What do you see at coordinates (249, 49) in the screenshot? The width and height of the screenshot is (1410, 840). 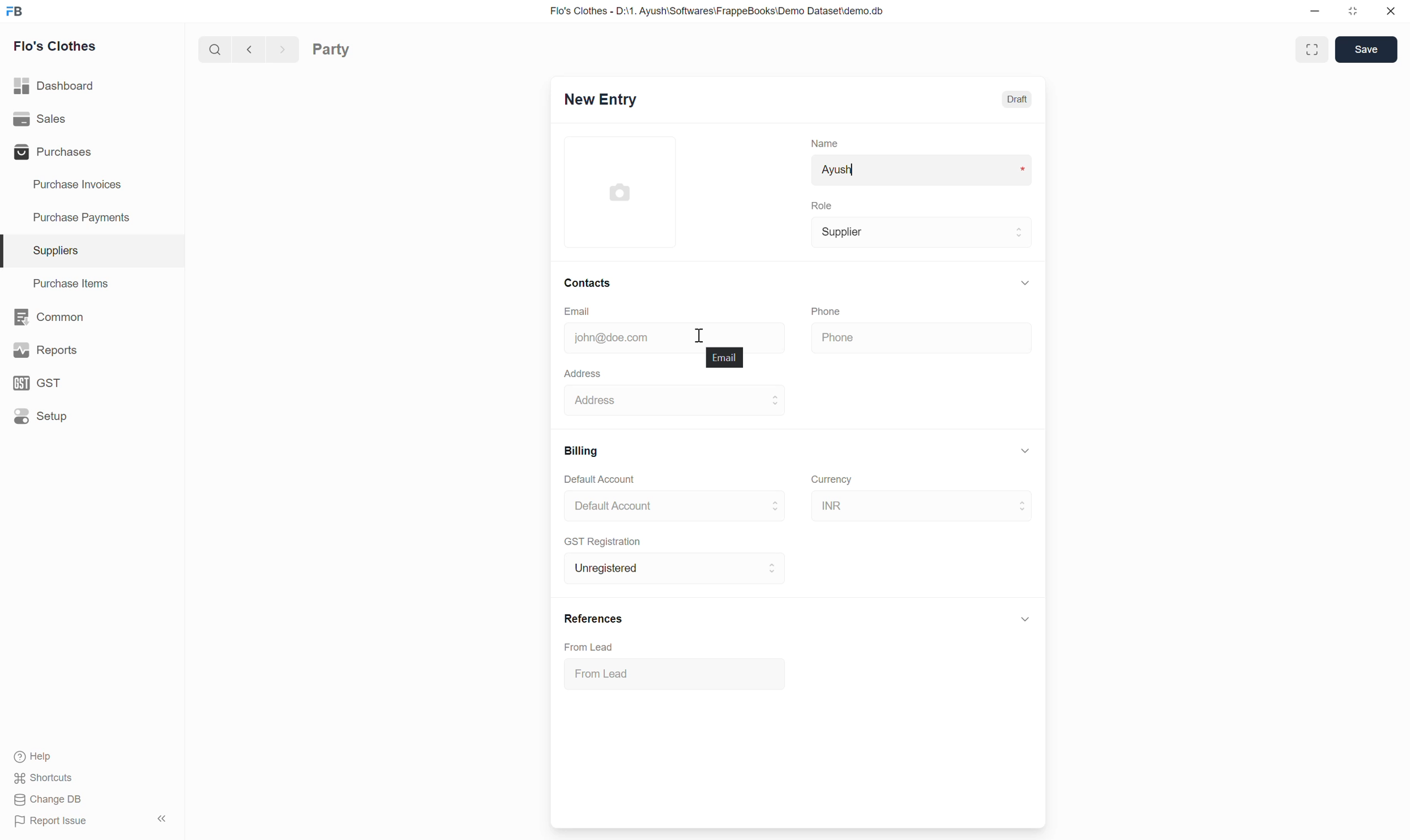 I see `Previous` at bounding box center [249, 49].